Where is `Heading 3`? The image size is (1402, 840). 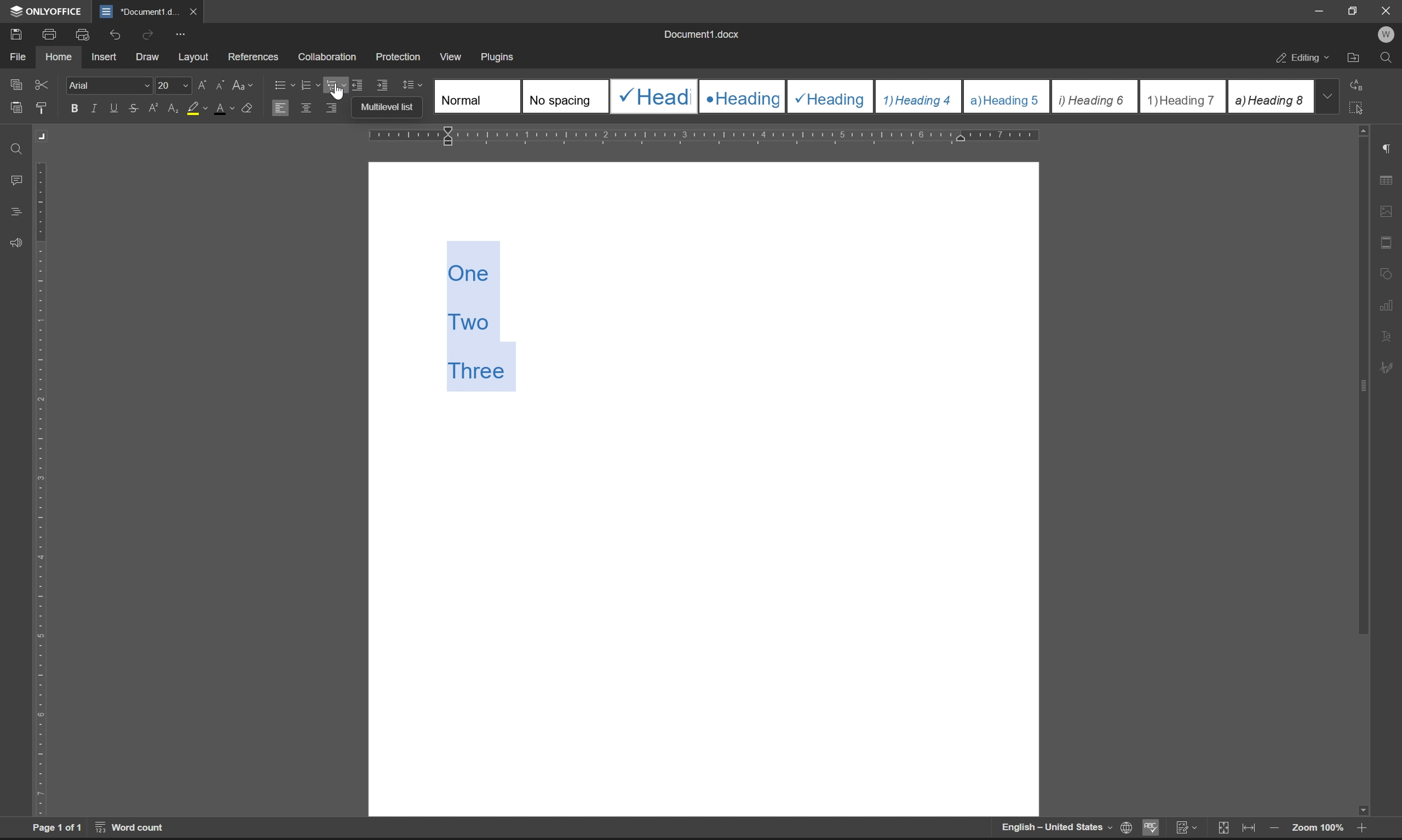
Heading 3 is located at coordinates (831, 97).